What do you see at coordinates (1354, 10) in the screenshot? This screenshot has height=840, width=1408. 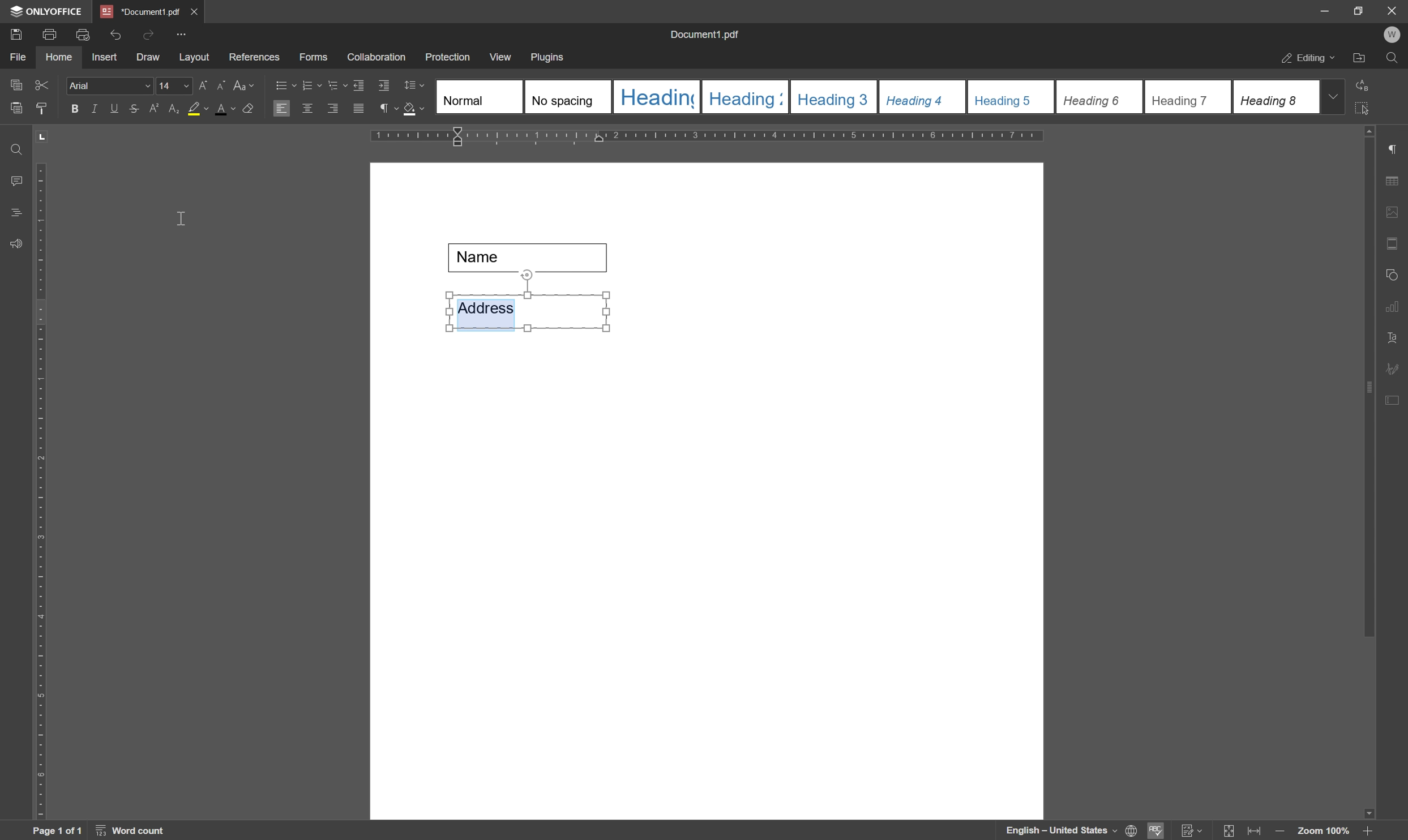 I see `restore down` at bounding box center [1354, 10].